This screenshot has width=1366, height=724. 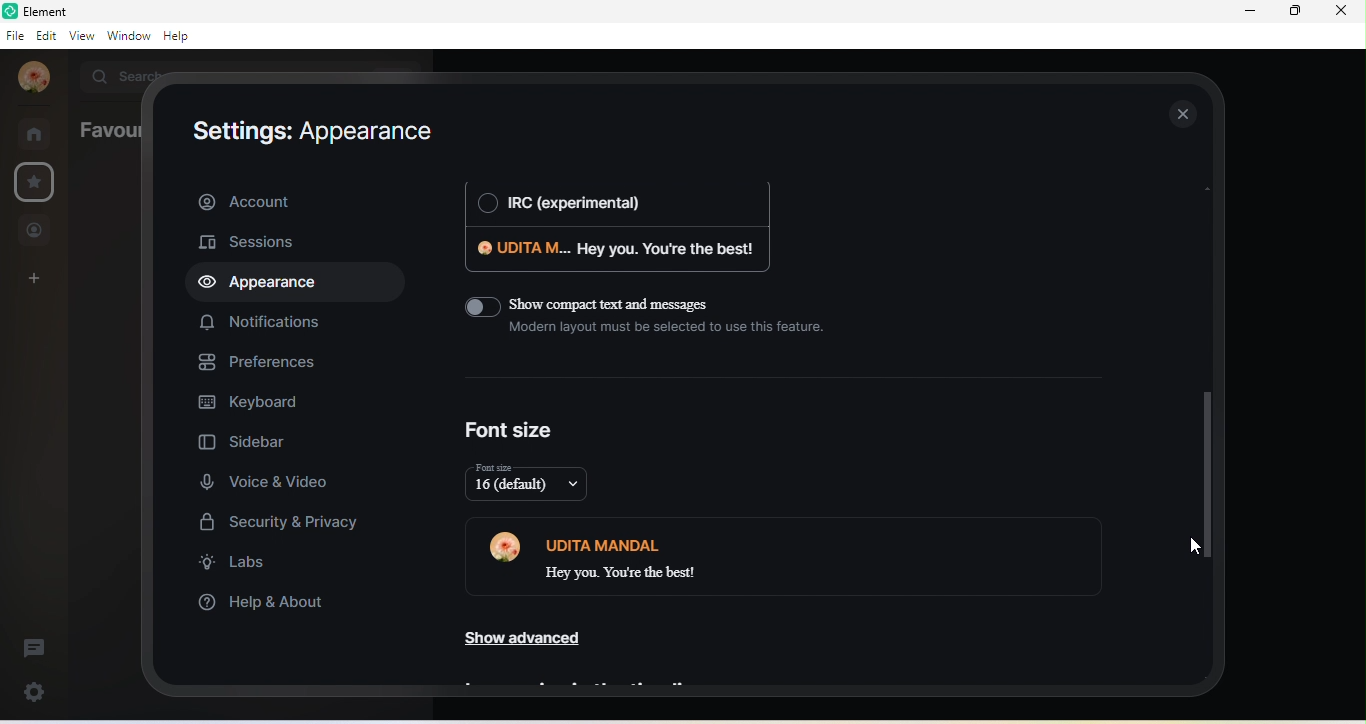 I want to click on thread, so click(x=32, y=645).